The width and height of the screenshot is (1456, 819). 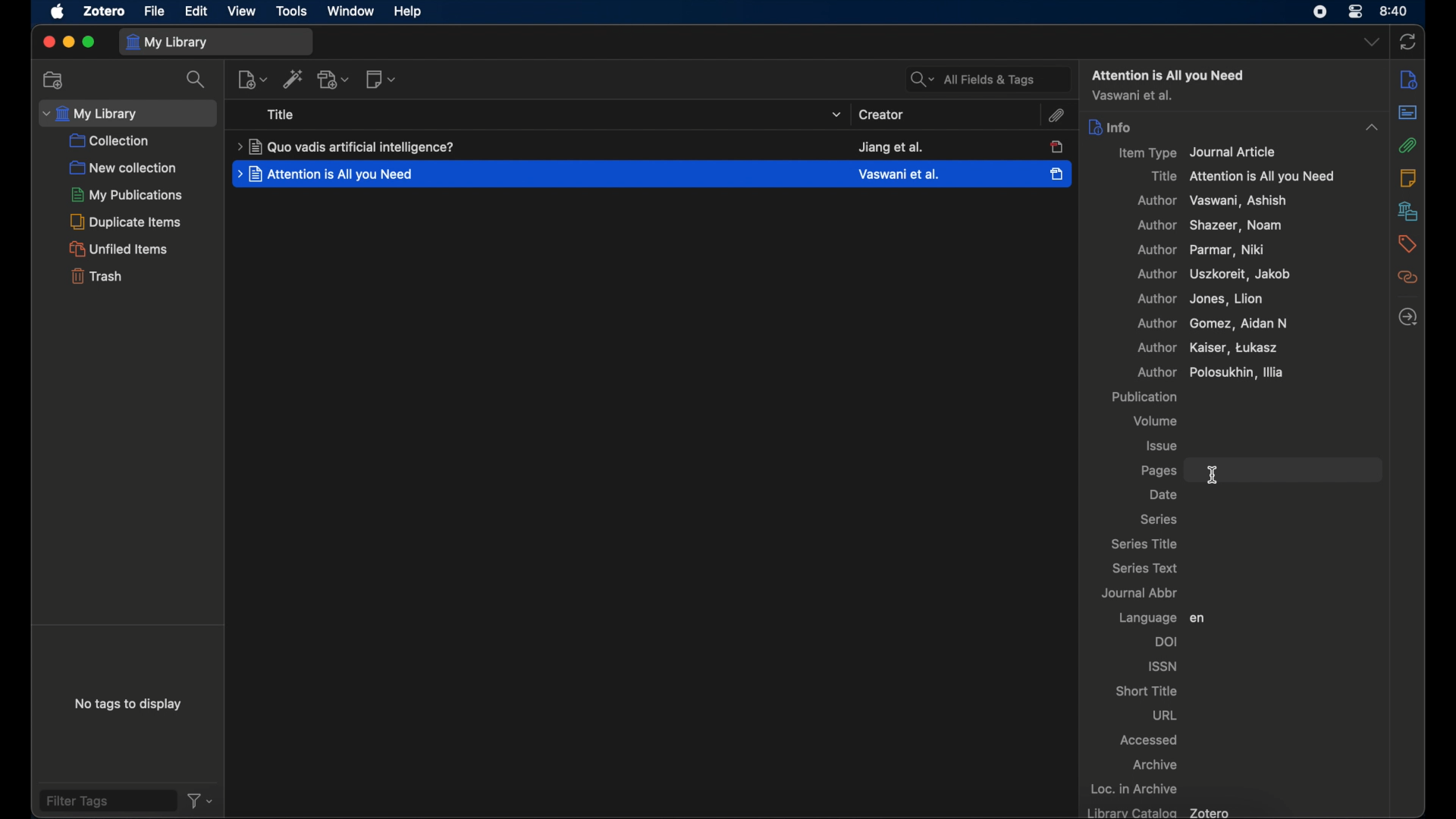 What do you see at coordinates (1161, 617) in the screenshot?
I see `language en` at bounding box center [1161, 617].